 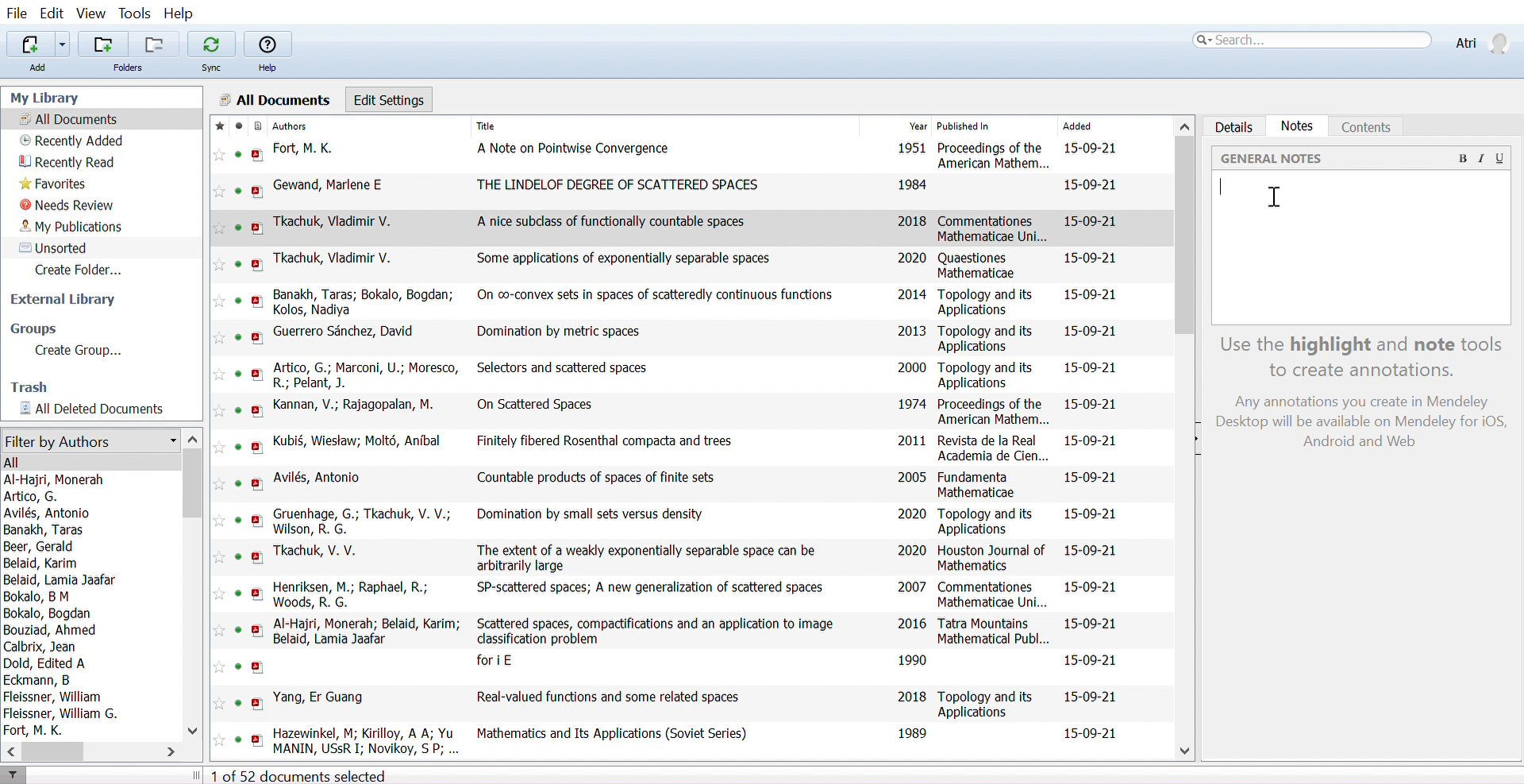 I want to click on Bouziad, Ahmed, so click(x=52, y=631).